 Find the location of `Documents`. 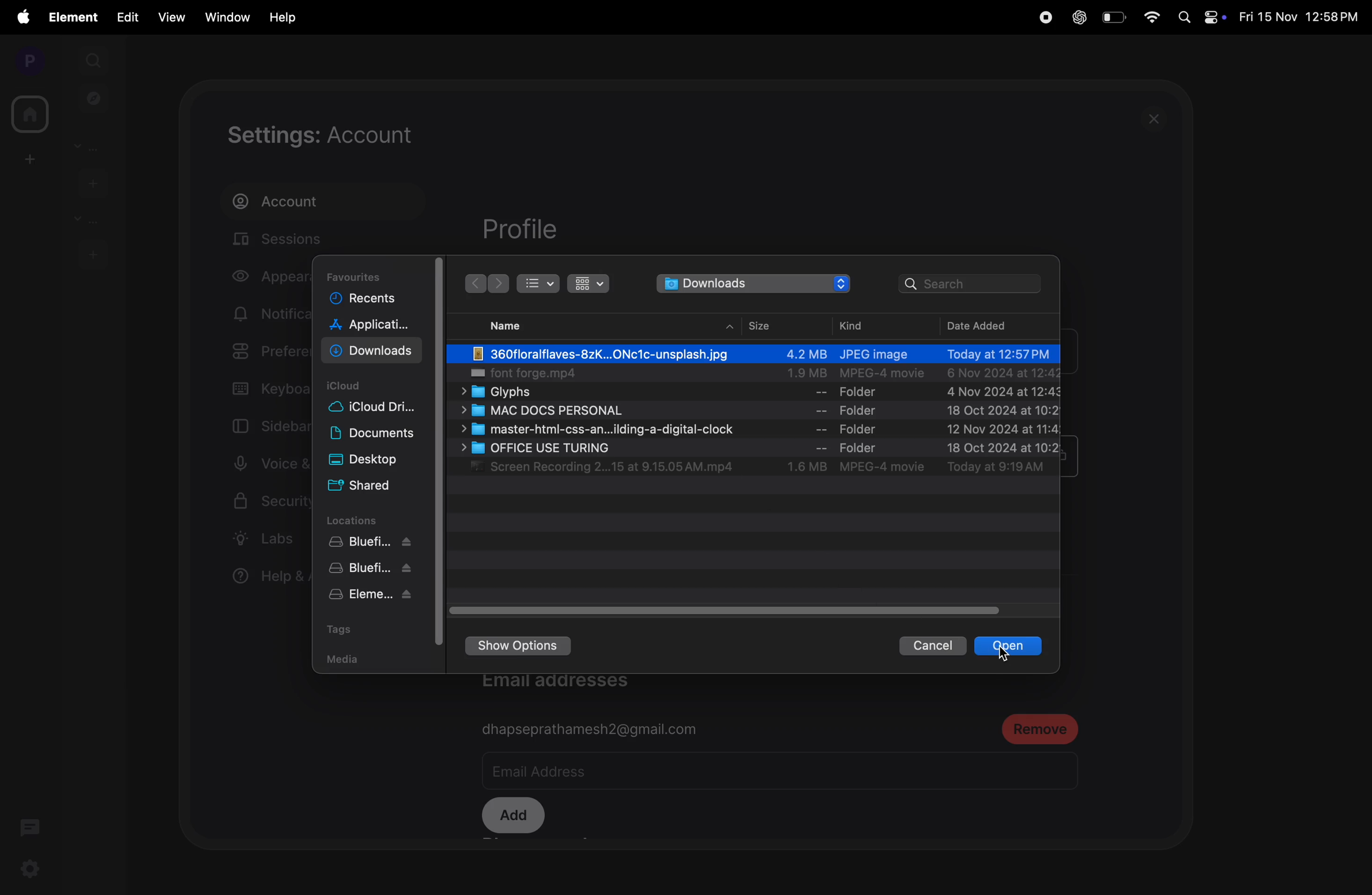

Documents is located at coordinates (375, 437).